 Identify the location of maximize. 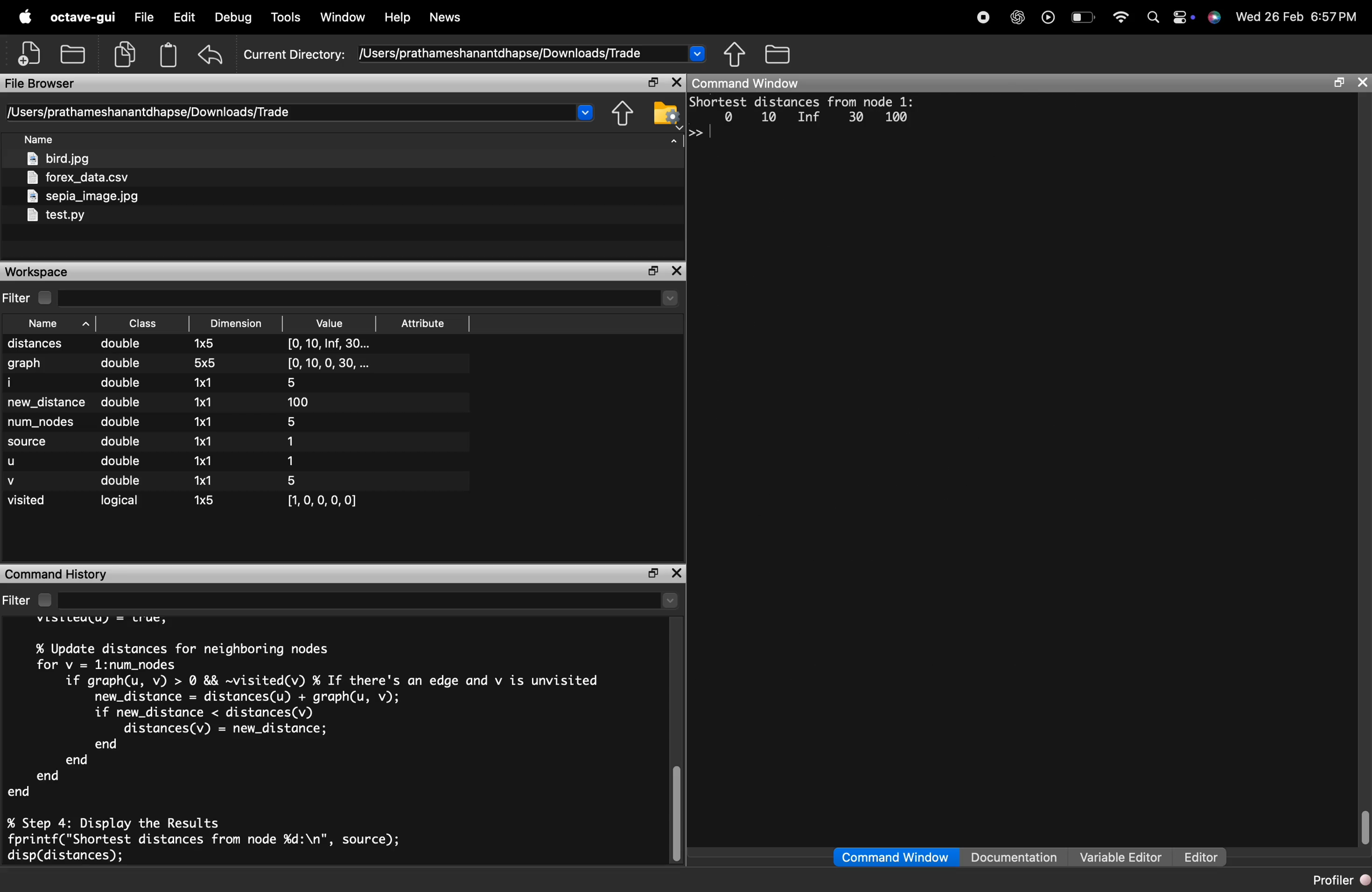
(1339, 82).